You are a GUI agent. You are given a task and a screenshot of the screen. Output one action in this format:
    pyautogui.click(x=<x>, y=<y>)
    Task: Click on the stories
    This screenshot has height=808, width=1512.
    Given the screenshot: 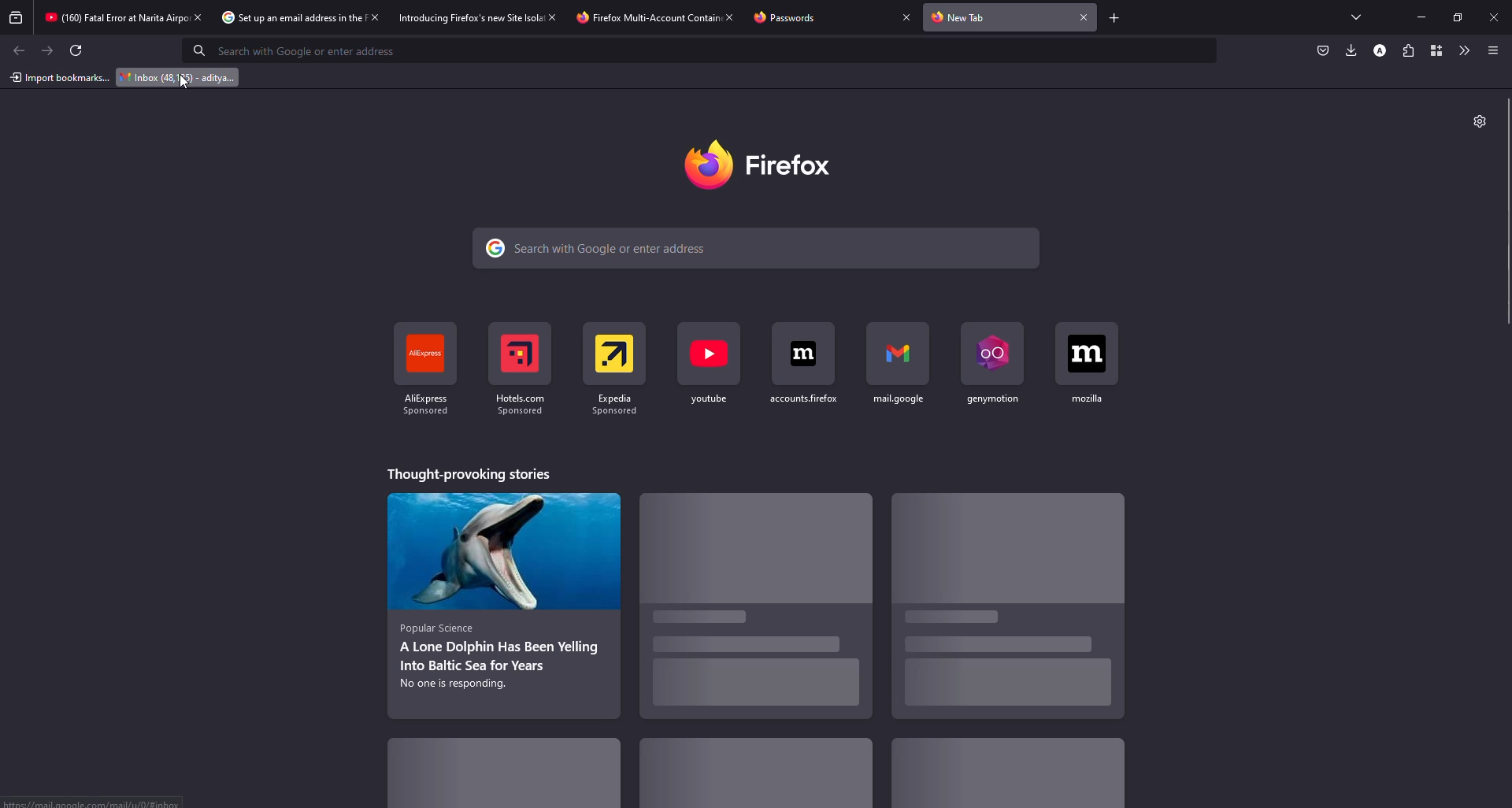 What is the action you would take?
    pyautogui.click(x=1000, y=663)
    